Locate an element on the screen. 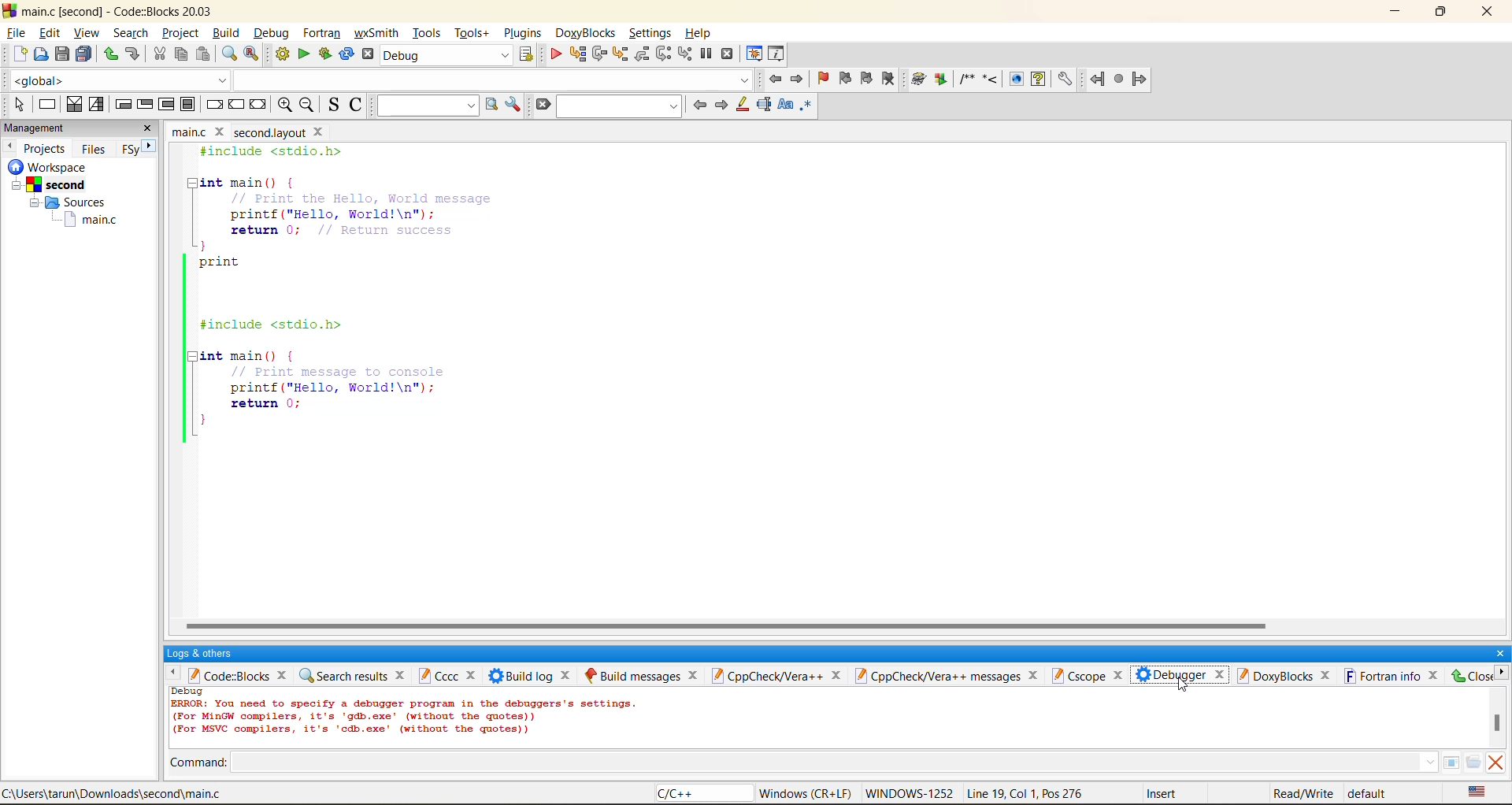 This screenshot has height=805, width=1512. copy is located at coordinates (180, 57).